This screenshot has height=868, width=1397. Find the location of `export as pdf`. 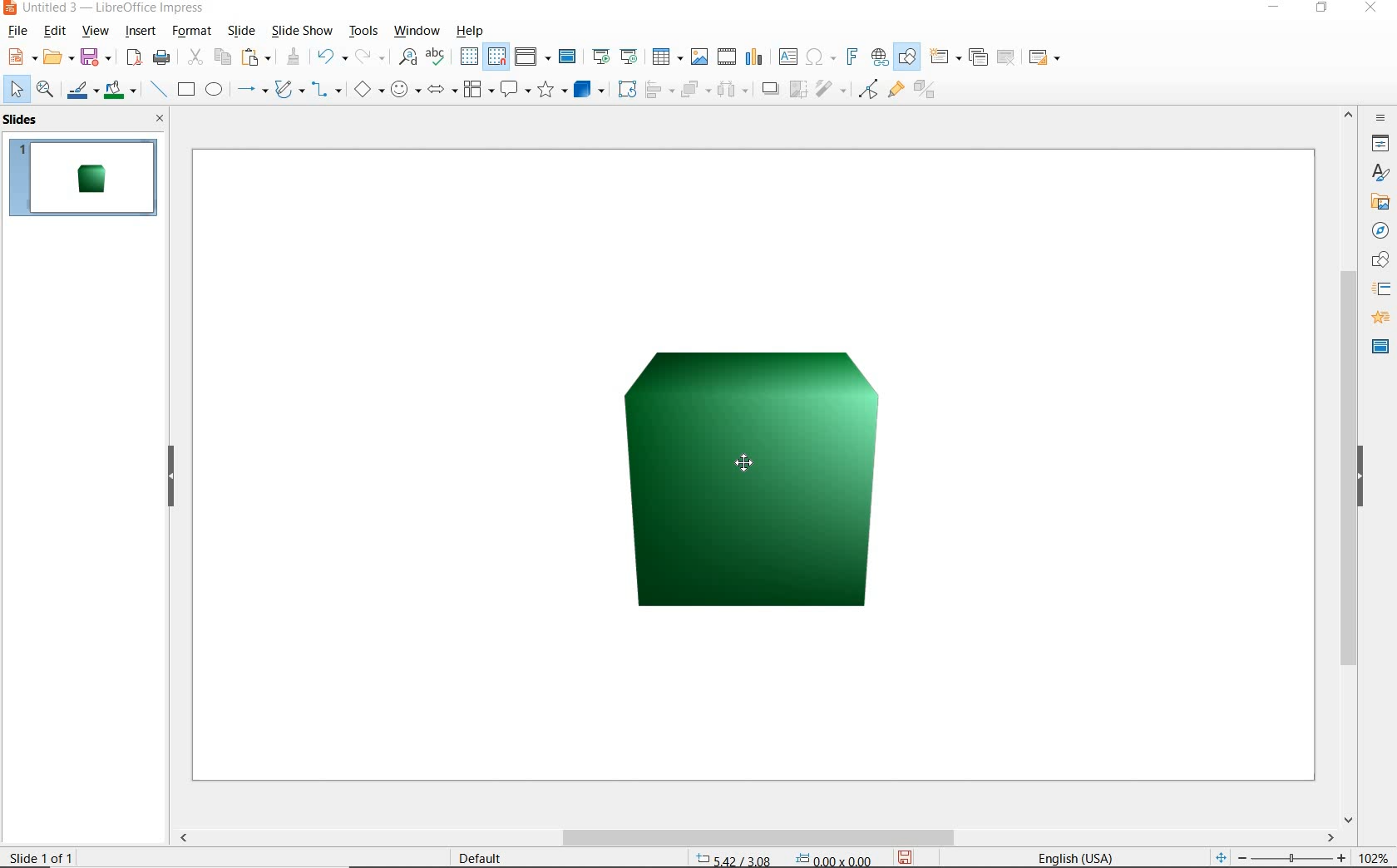

export as pdf is located at coordinates (135, 60).